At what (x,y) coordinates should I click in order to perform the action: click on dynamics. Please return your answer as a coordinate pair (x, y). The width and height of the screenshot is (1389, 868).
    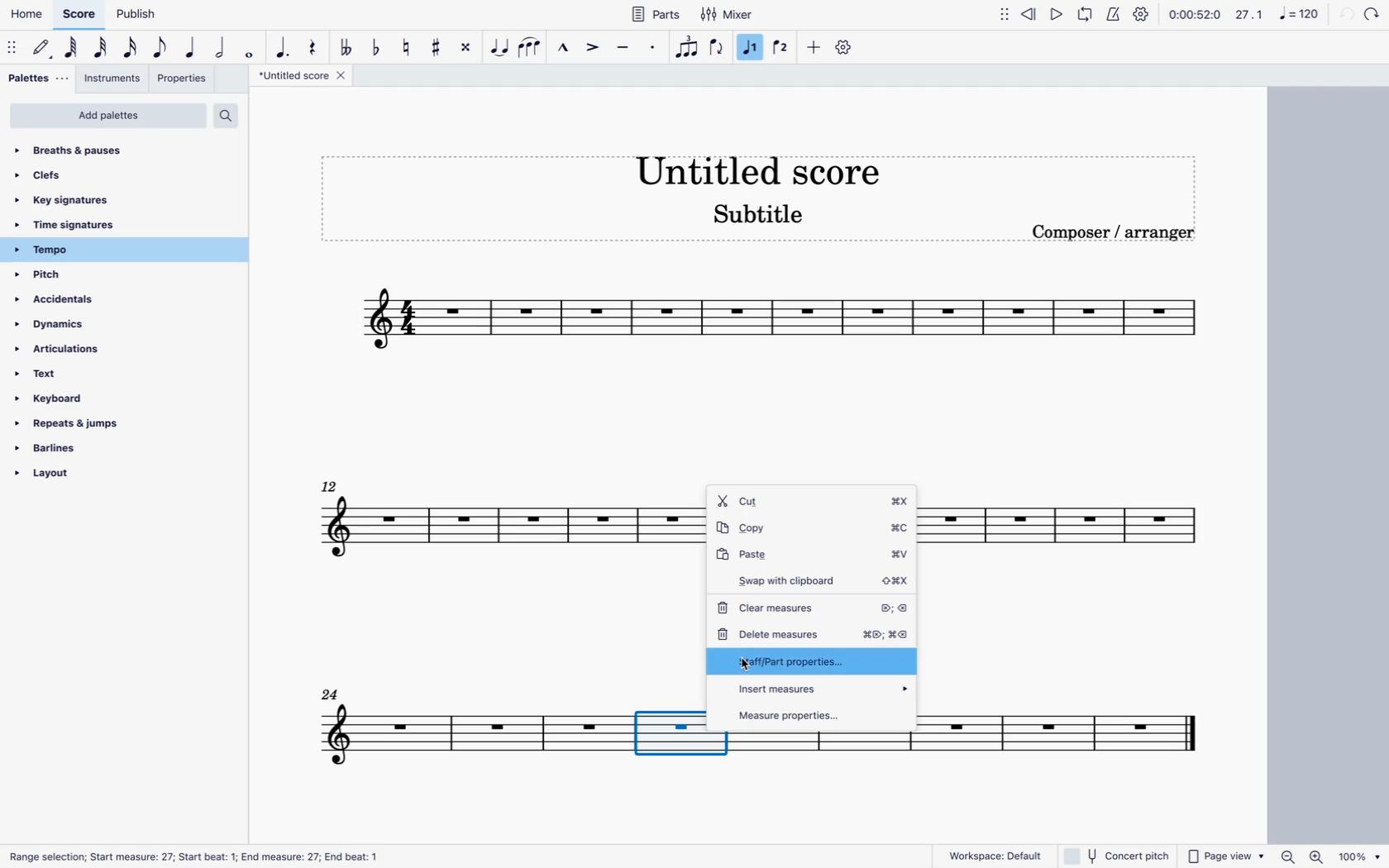
    Looking at the image, I should click on (60, 325).